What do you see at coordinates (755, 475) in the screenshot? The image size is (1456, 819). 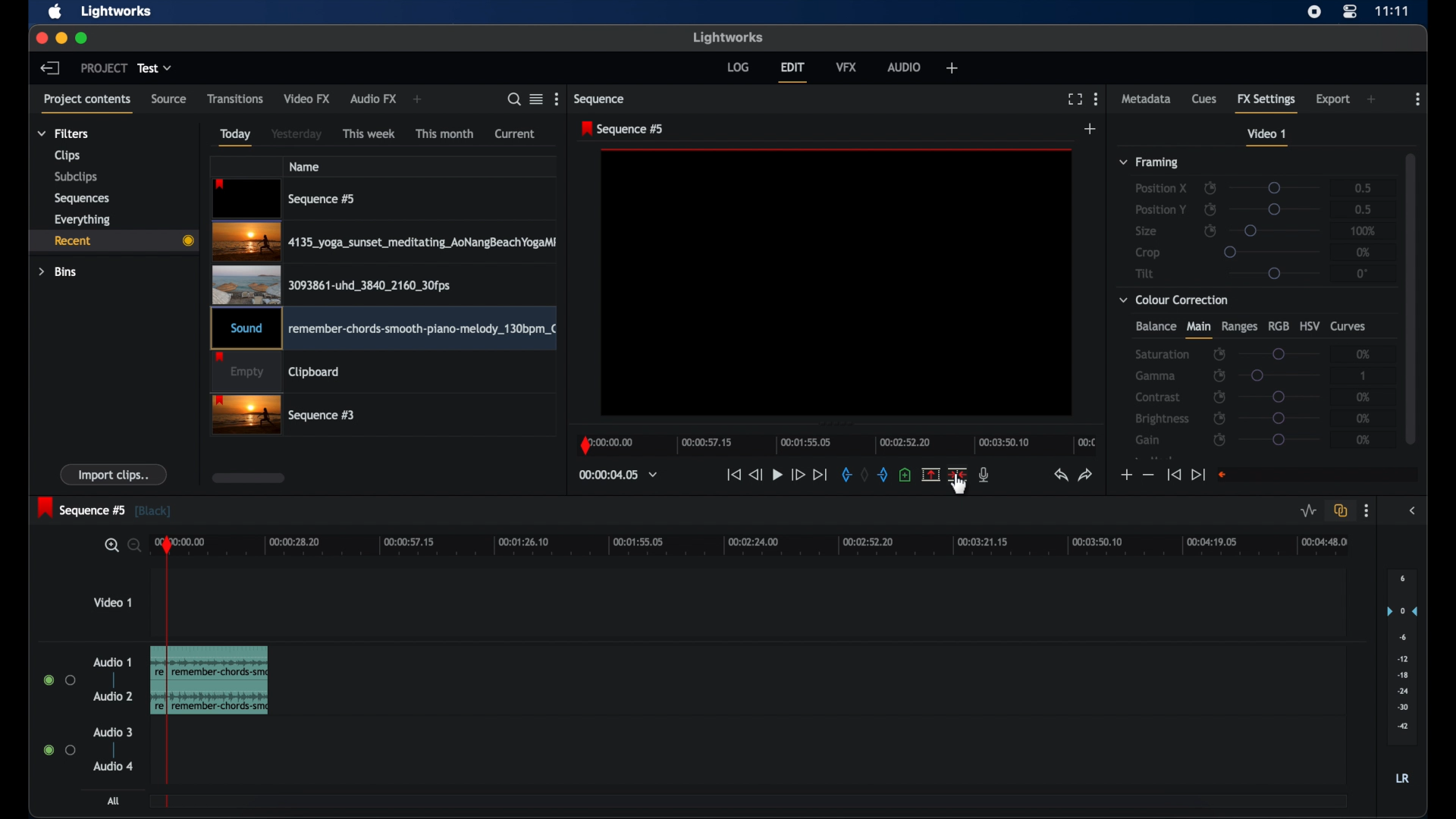 I see `rewind` at bounding box center [755, 475].